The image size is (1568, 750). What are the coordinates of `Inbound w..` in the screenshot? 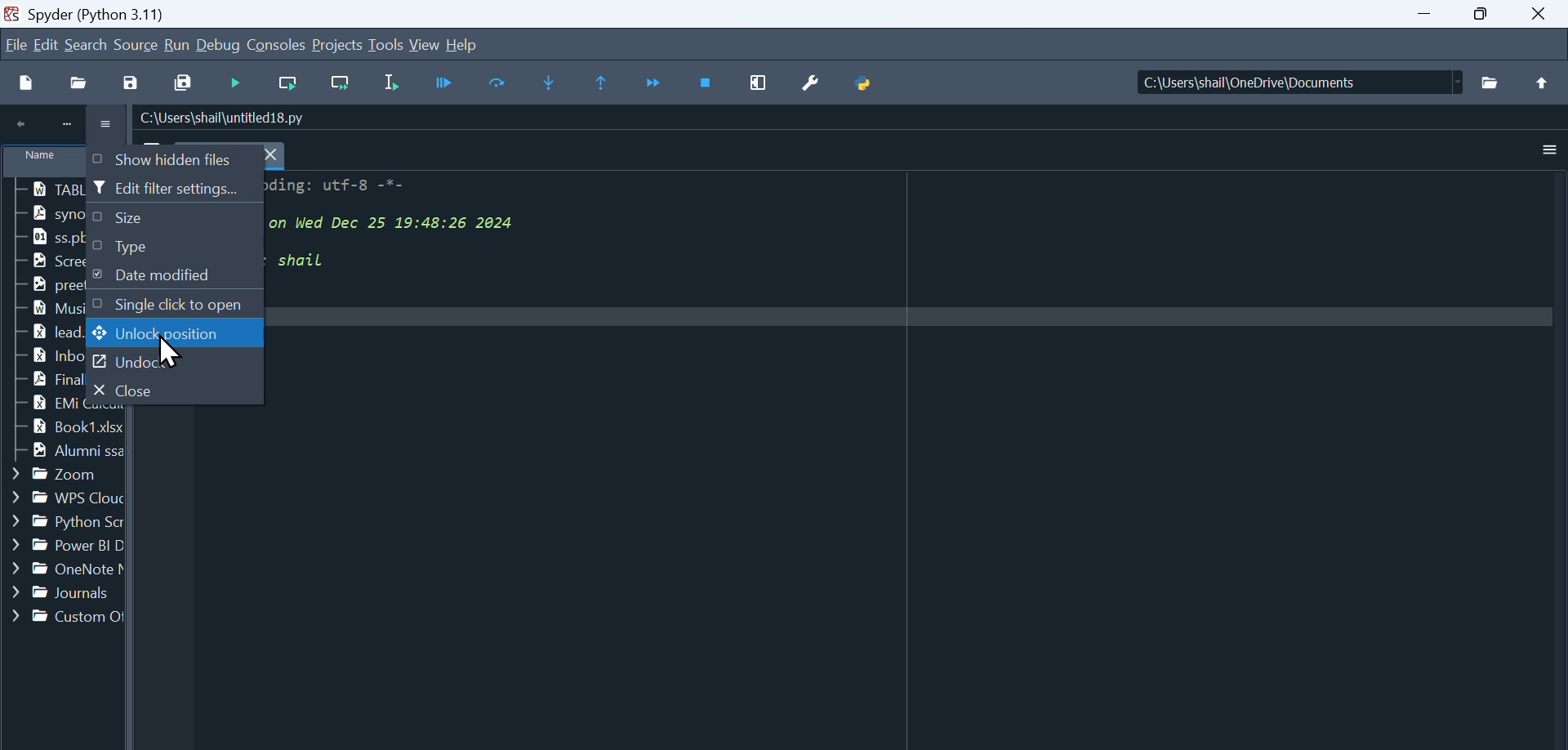 It's located at (40, 355).